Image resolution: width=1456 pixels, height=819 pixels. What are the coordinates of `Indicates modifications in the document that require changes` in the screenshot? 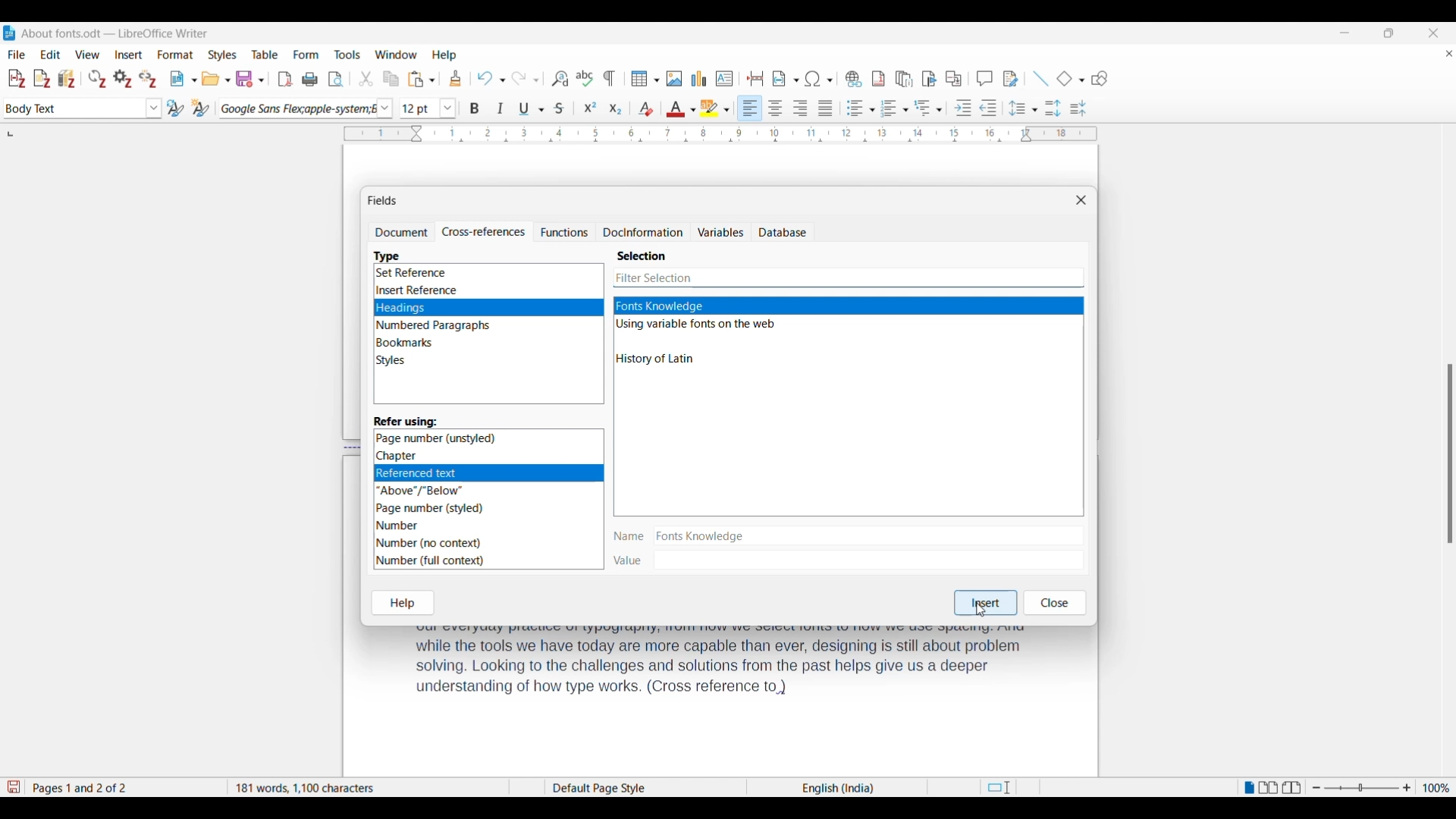 It's located at (13, 787).